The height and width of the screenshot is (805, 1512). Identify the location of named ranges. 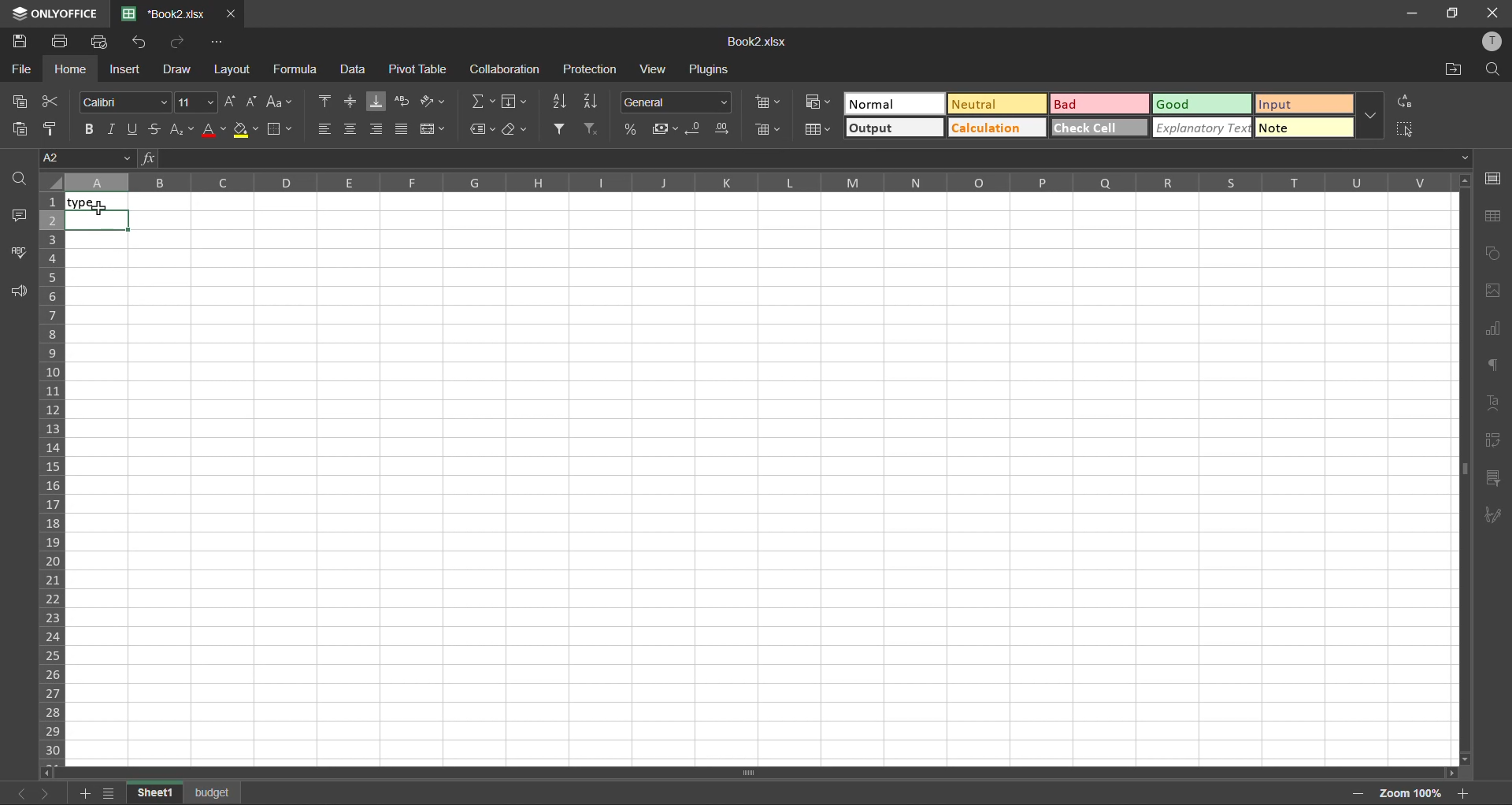
(483, 130).